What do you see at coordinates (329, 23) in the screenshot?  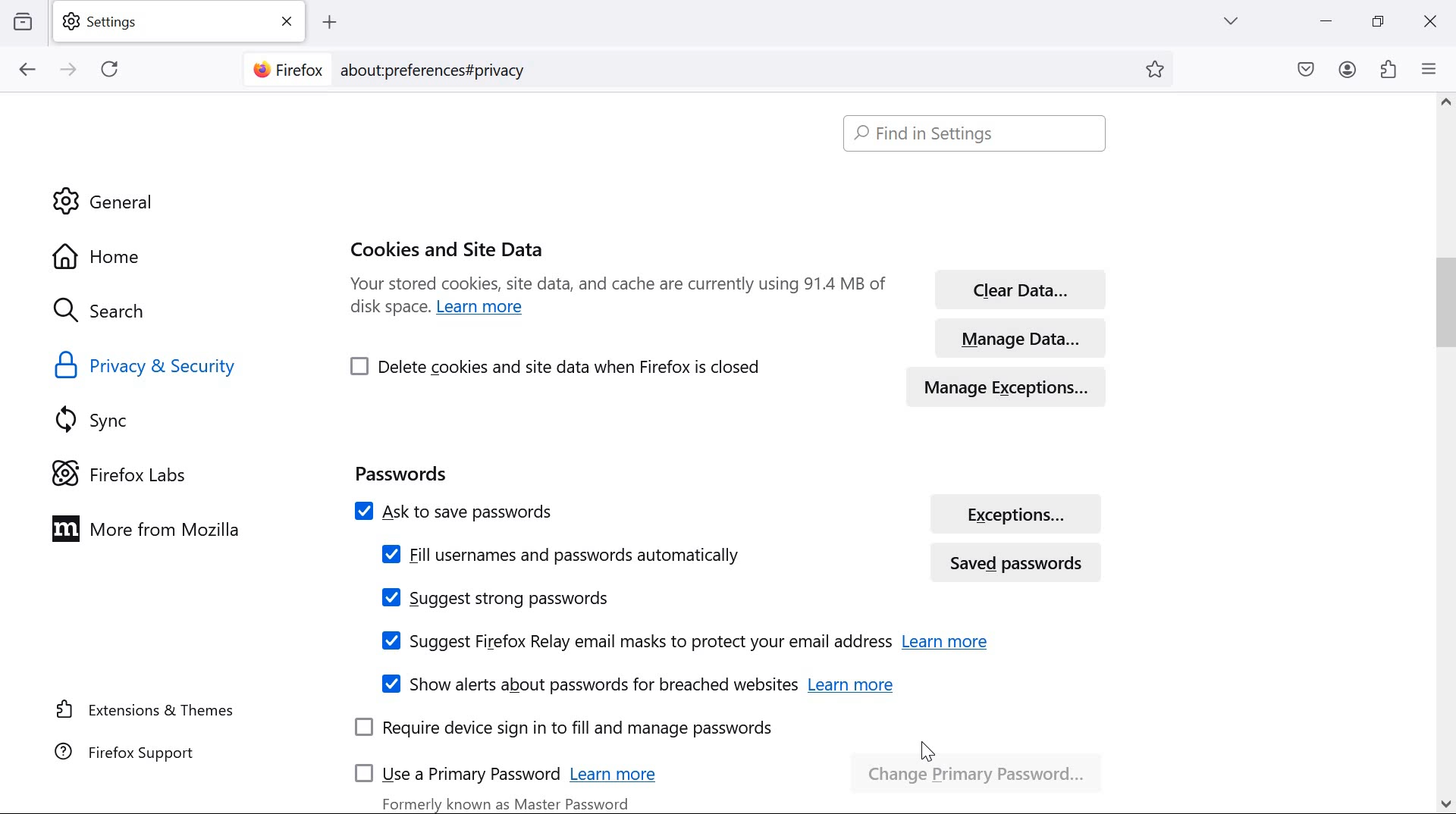 I see `add tab` at bounding box center [329, 23].